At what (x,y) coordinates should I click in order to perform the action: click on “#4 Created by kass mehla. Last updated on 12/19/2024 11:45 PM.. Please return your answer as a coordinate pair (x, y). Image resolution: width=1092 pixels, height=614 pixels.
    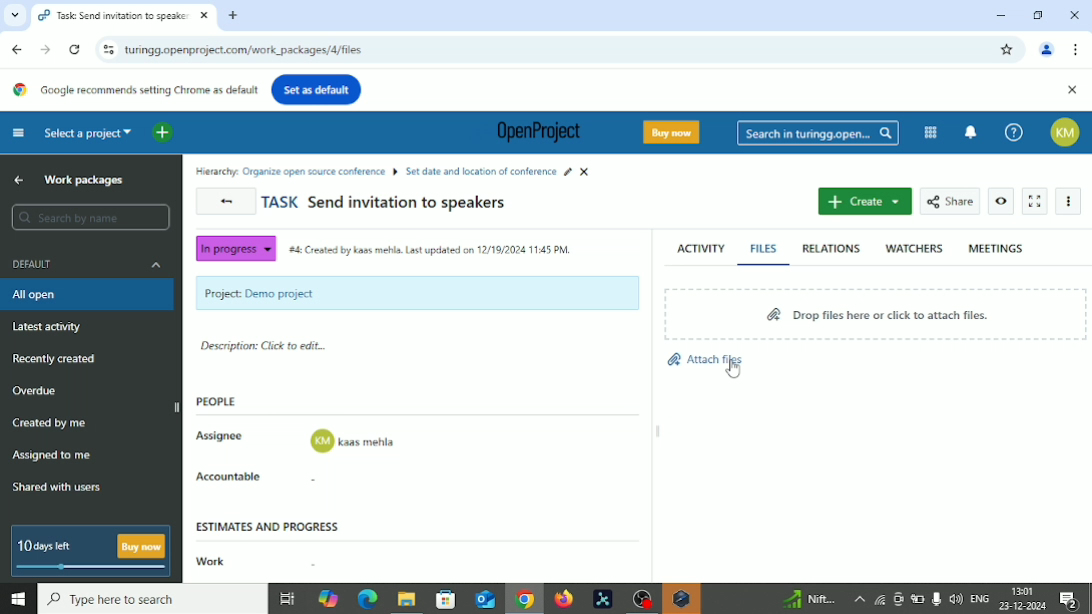
    Looking at the image, I should click on (432, 253).